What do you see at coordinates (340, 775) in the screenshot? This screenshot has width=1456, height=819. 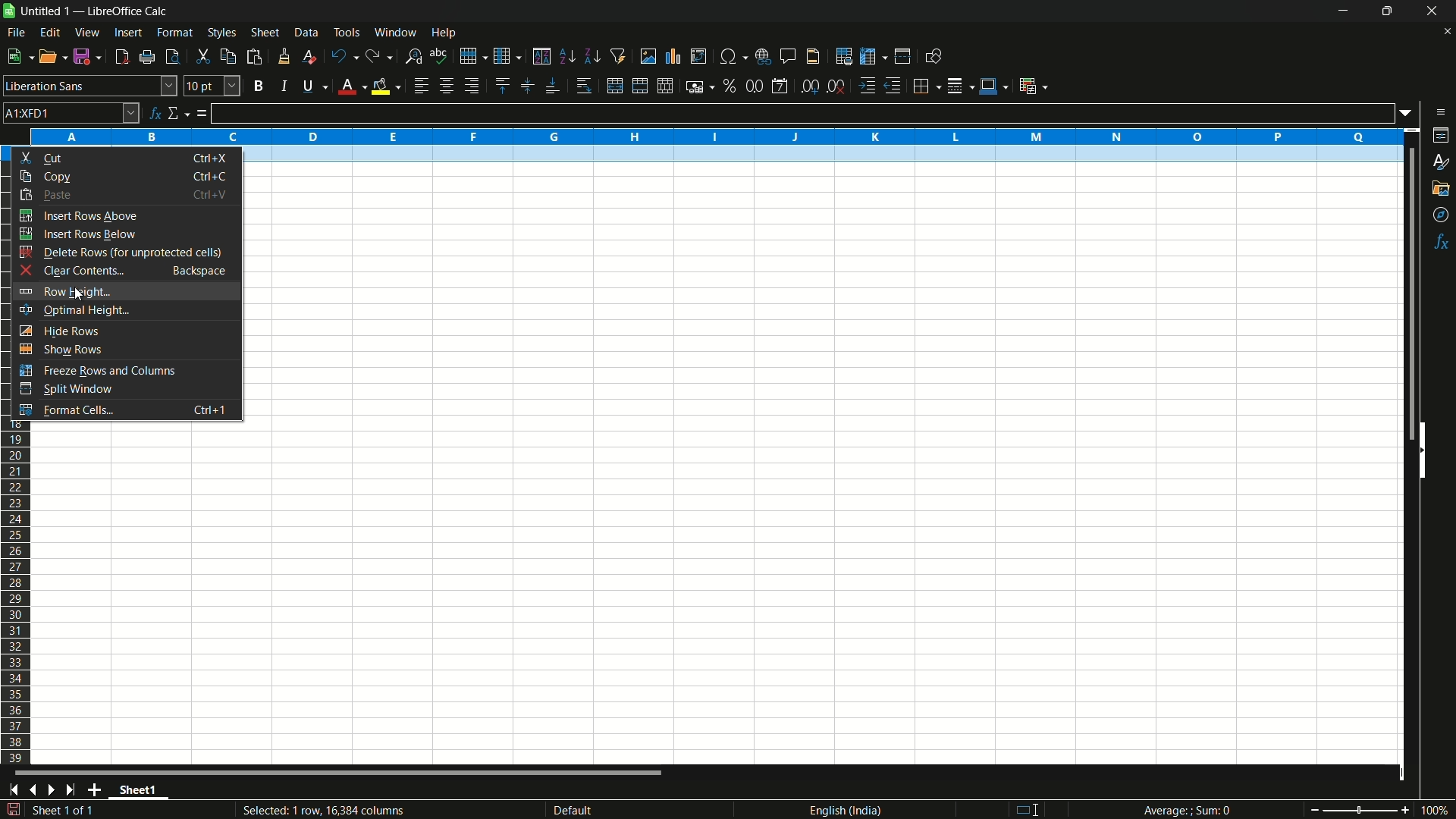 I see `scroll bar` at bounding box center [340, 775].